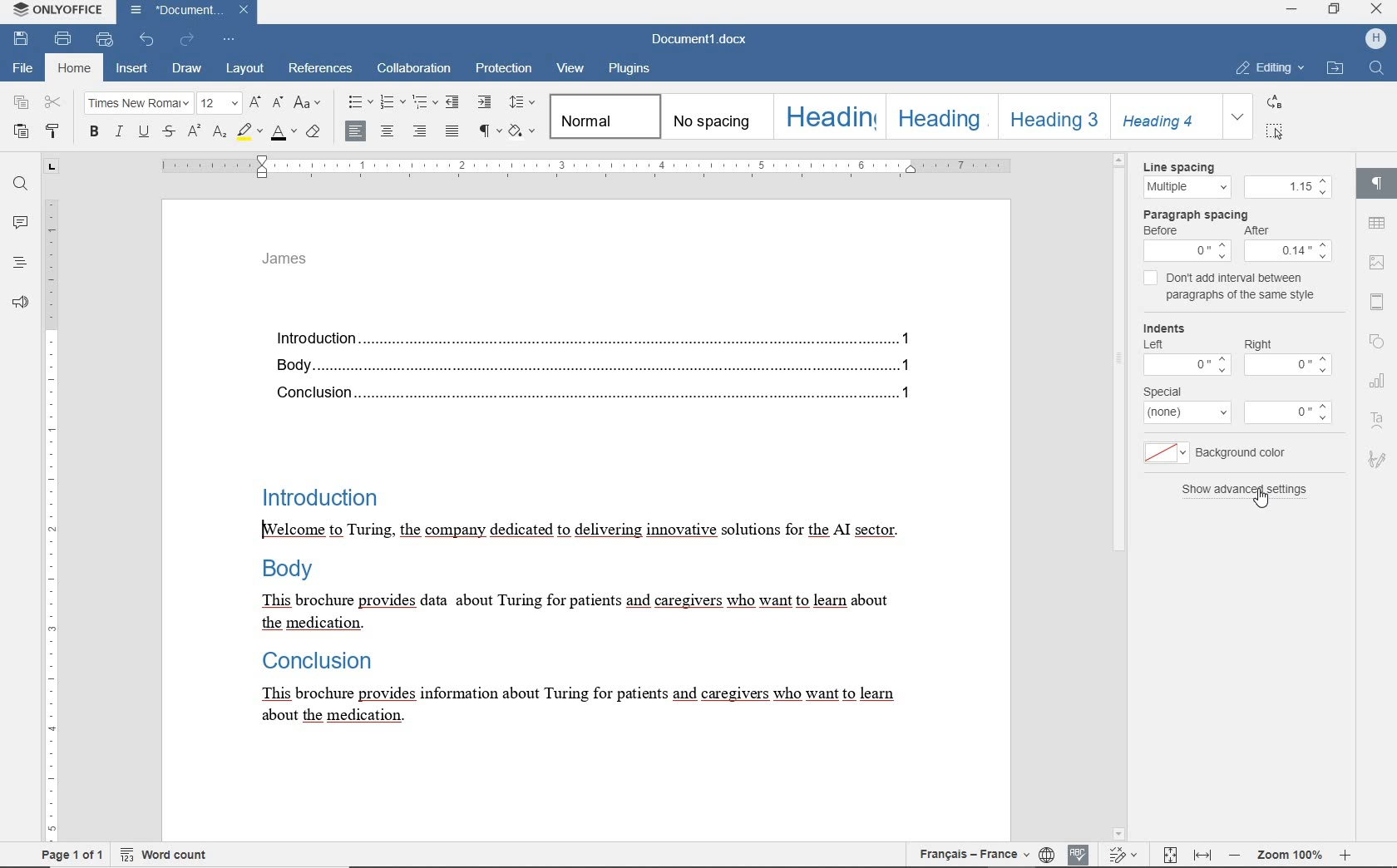 The image size is (1397, 868). Describe the element at coordinates (1379, 184) in the screenshot. I see `paragraph settings` at that location.